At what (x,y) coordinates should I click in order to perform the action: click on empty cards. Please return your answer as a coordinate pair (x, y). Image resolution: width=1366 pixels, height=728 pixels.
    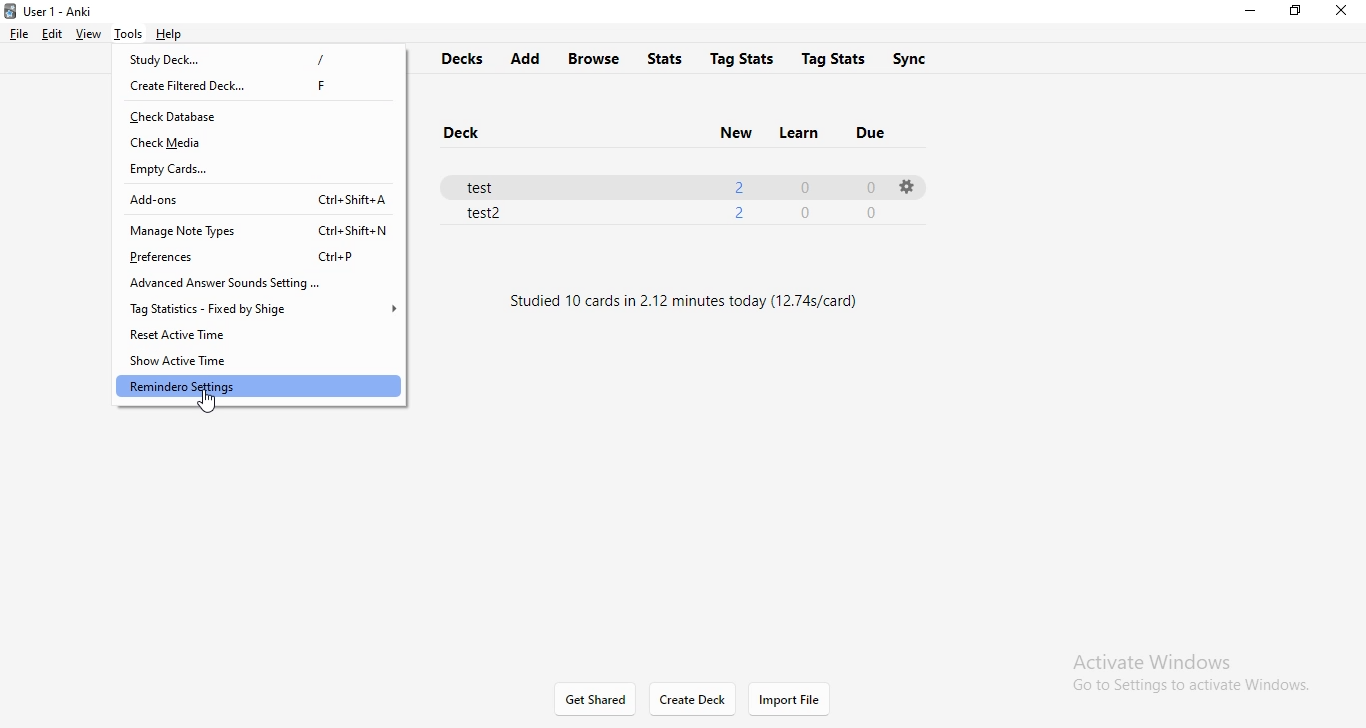
    Looking at the image, I should click on (259, 173).